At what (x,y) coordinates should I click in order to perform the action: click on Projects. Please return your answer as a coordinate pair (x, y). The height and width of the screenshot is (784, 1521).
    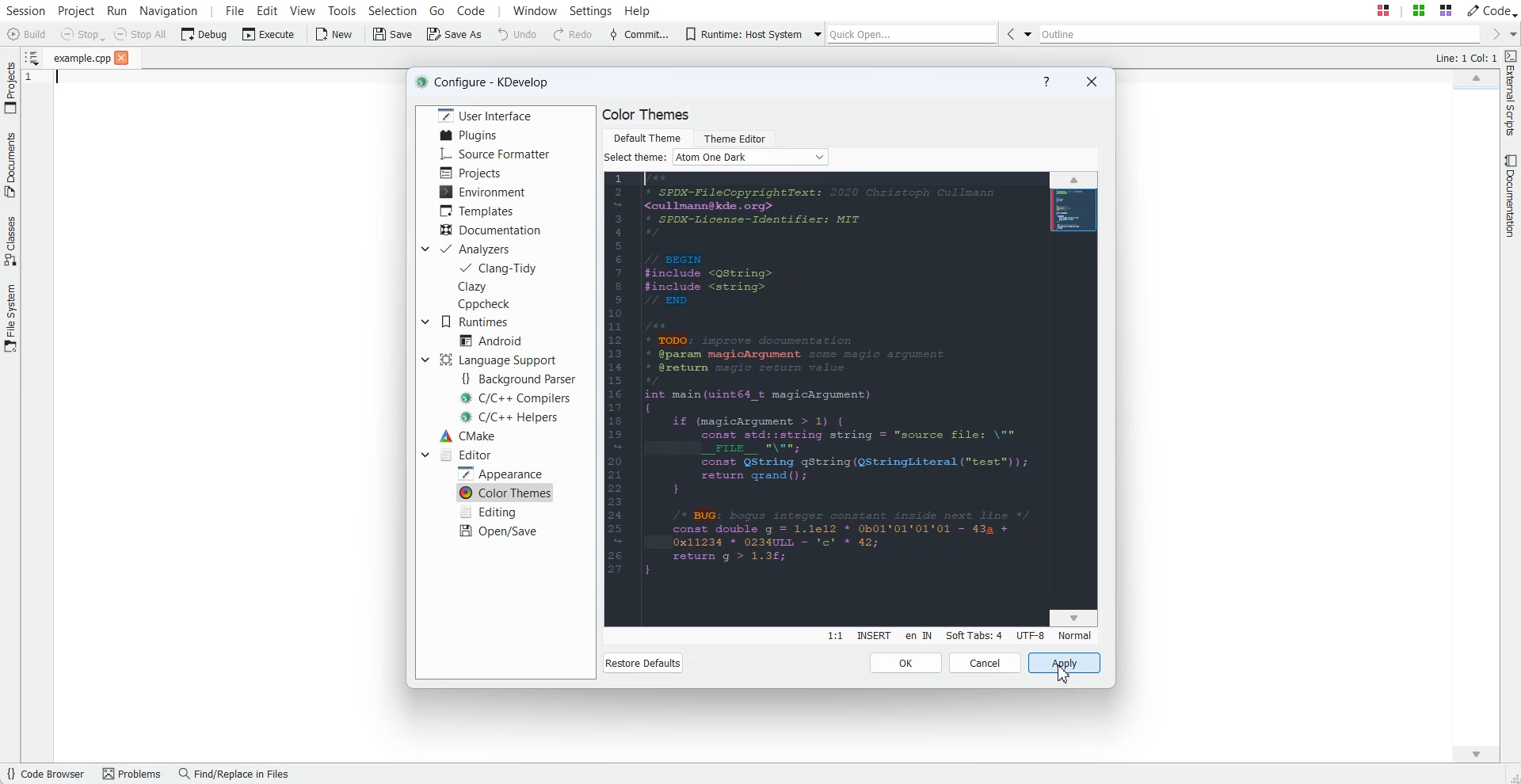
    Looking at the image, I should click on (471, 173).